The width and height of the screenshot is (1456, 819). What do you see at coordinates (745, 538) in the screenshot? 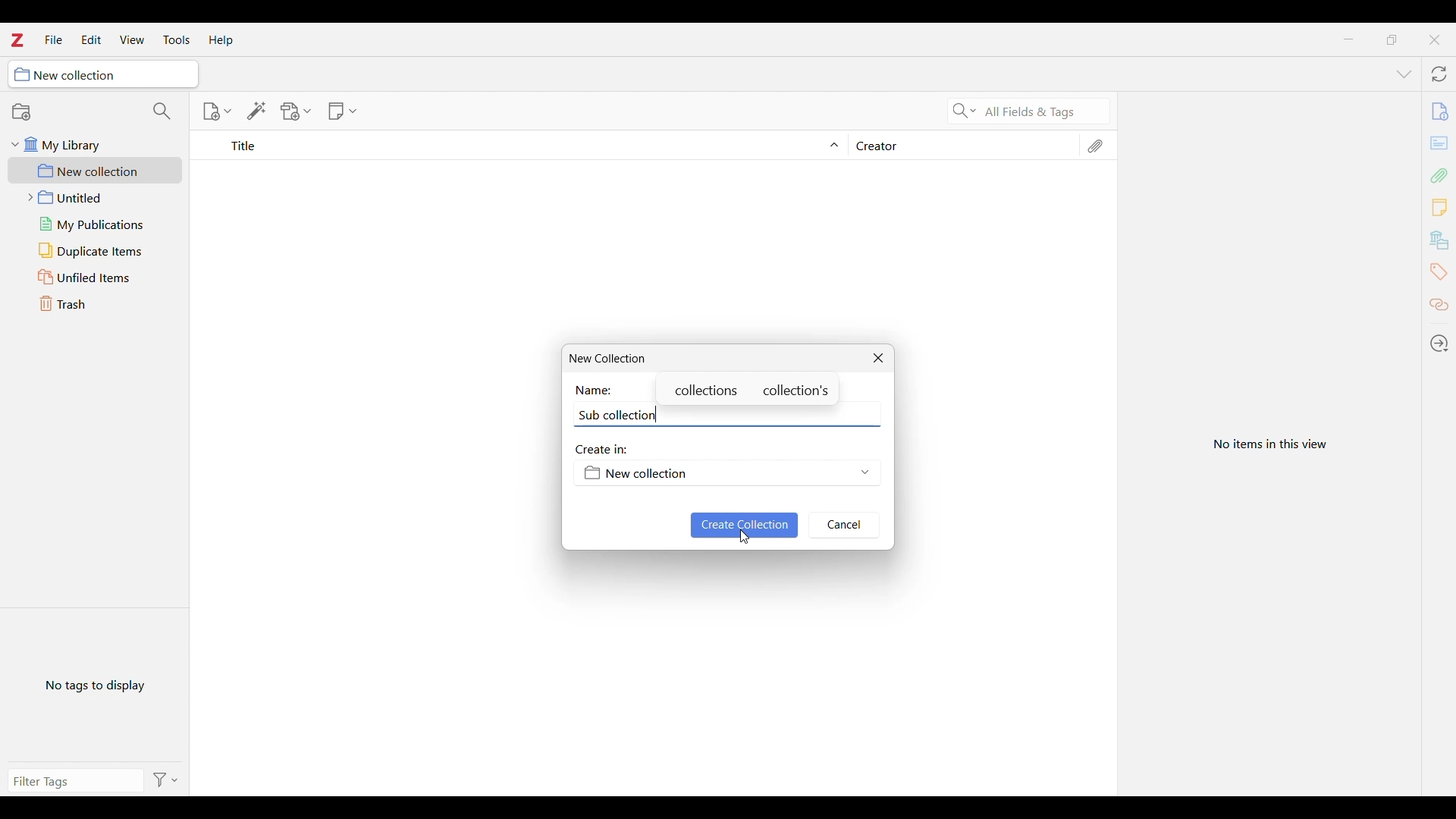
I see `Cursor clicking on saving inputs made to create new collection` at bounding box center [745, 538].